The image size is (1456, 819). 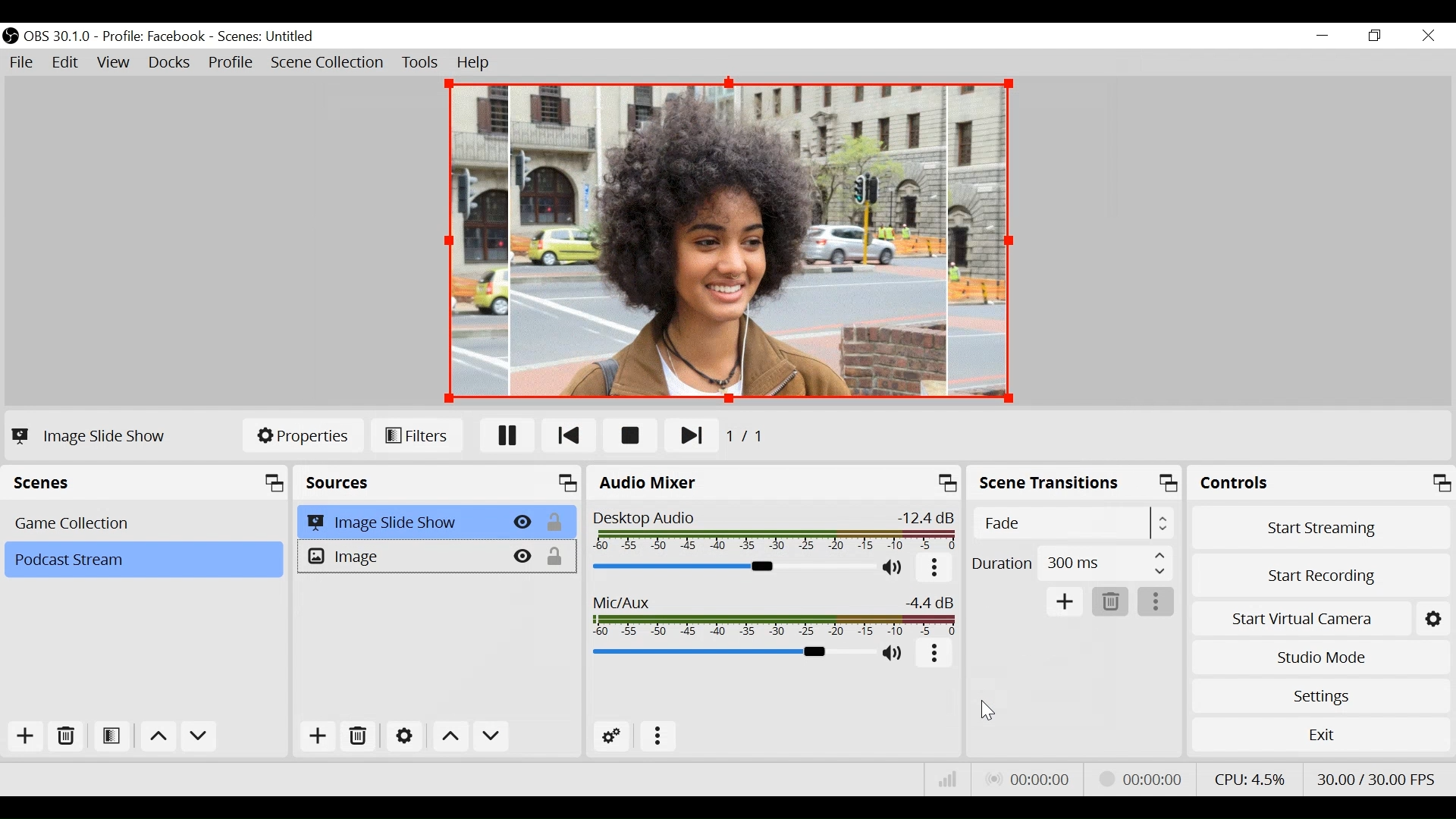 I want to click on Start Virtual Camera, so click(x=1321, y=616).